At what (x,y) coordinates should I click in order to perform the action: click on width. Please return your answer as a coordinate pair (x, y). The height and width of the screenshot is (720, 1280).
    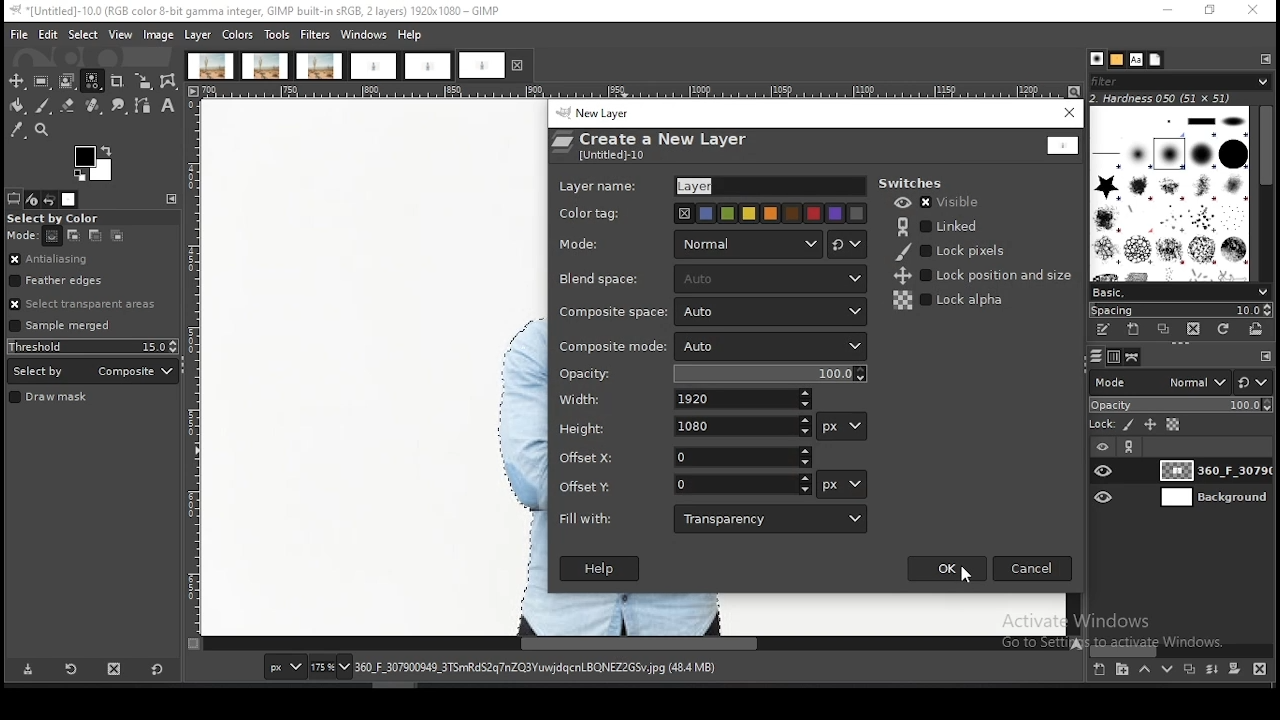
    Looking at the image, I should click on (743, 398).